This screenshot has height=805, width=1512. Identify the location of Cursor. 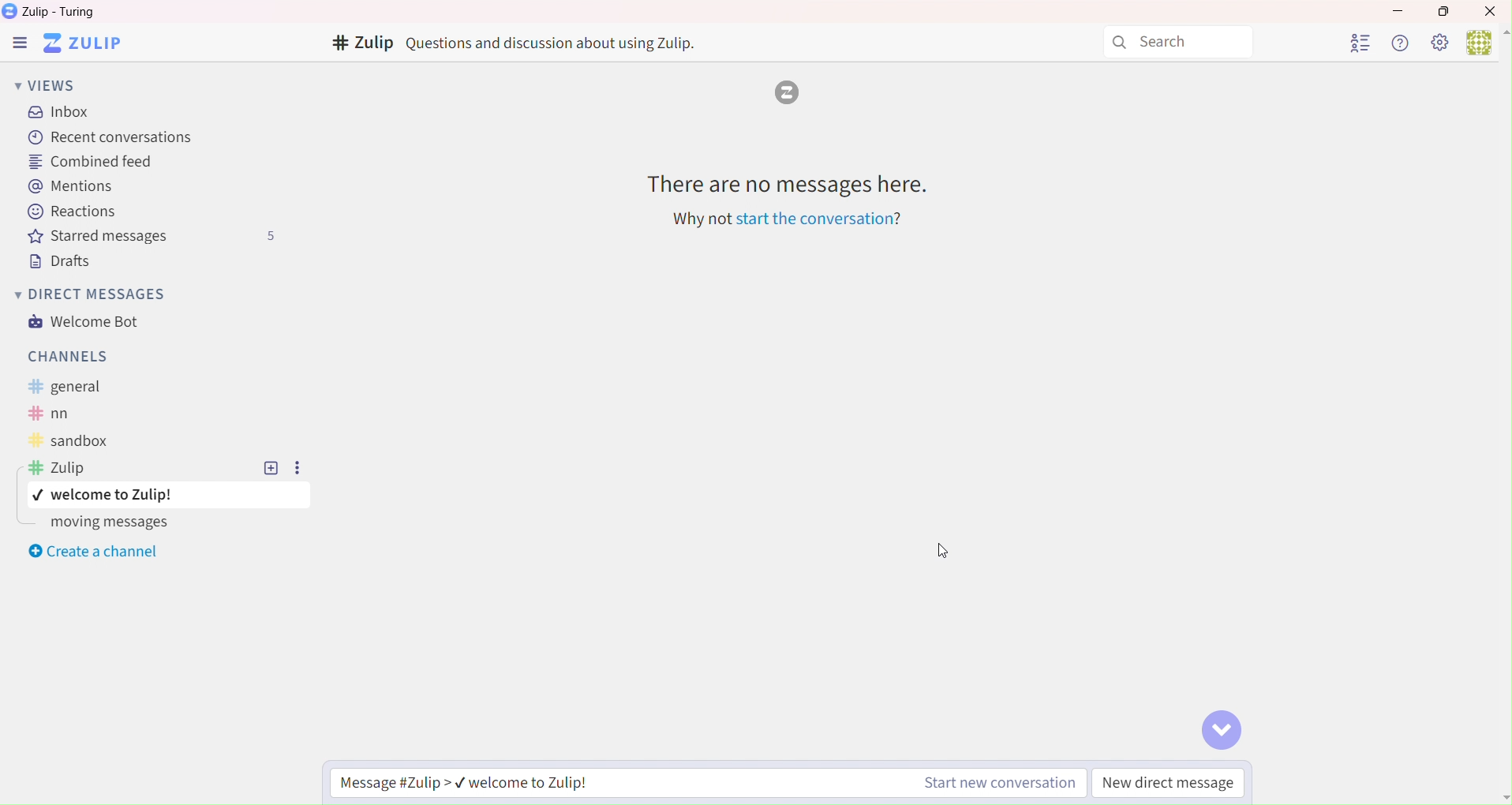
(944, 551).